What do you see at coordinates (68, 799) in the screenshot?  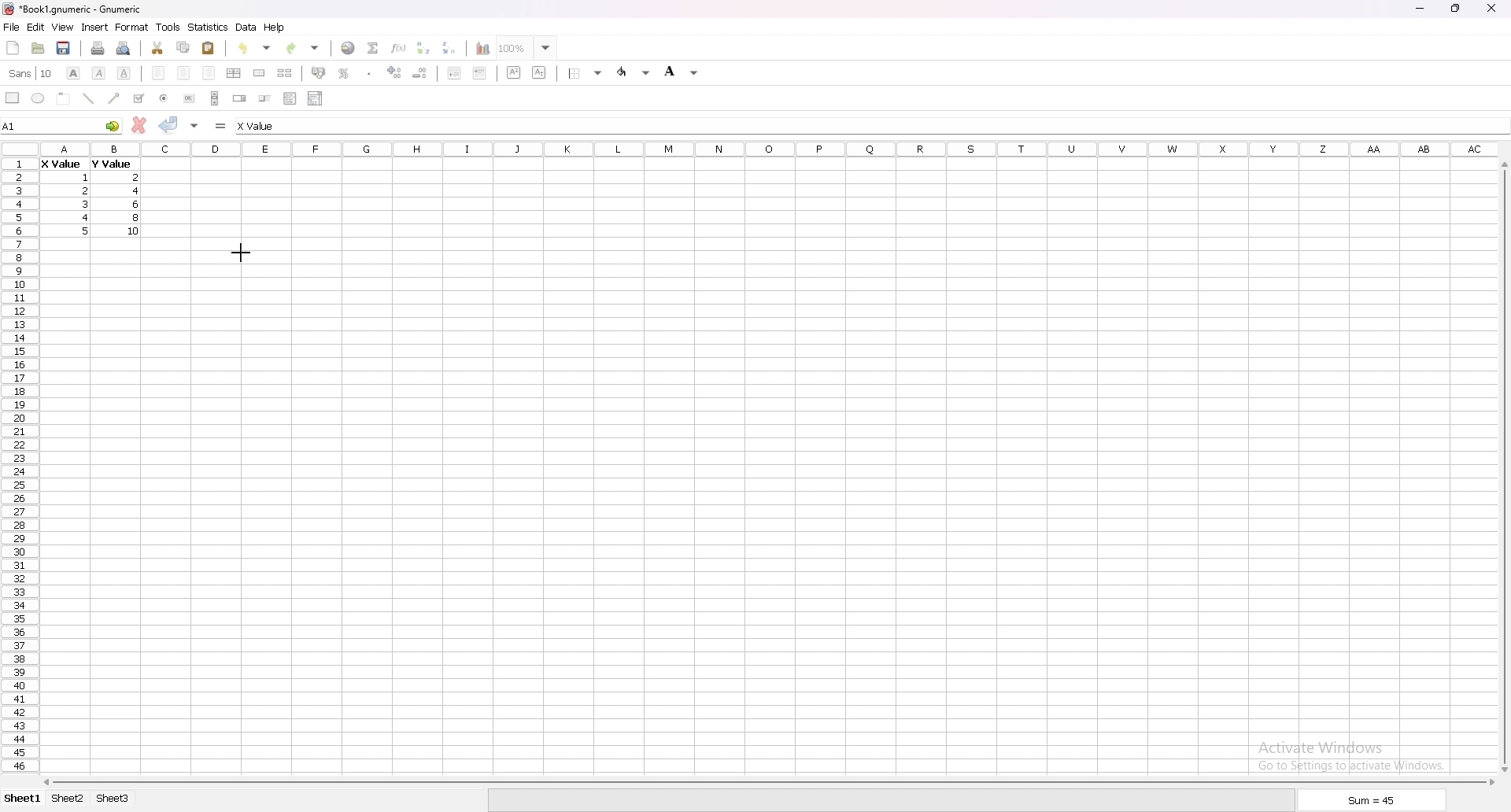 I see `sheet 2` at bounding box center [68, 799].